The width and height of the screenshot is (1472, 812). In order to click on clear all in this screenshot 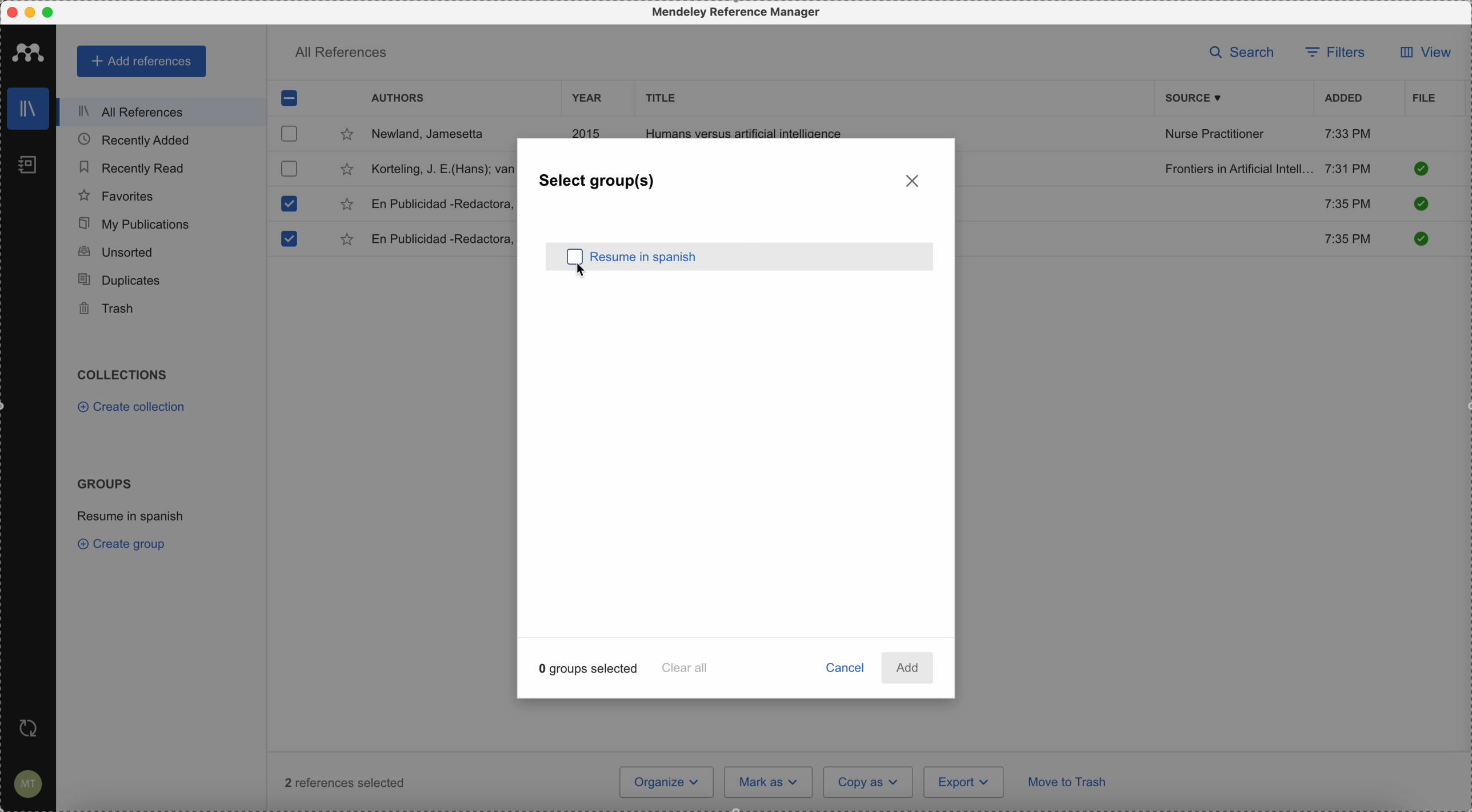, I will do `click(686, 667)`.